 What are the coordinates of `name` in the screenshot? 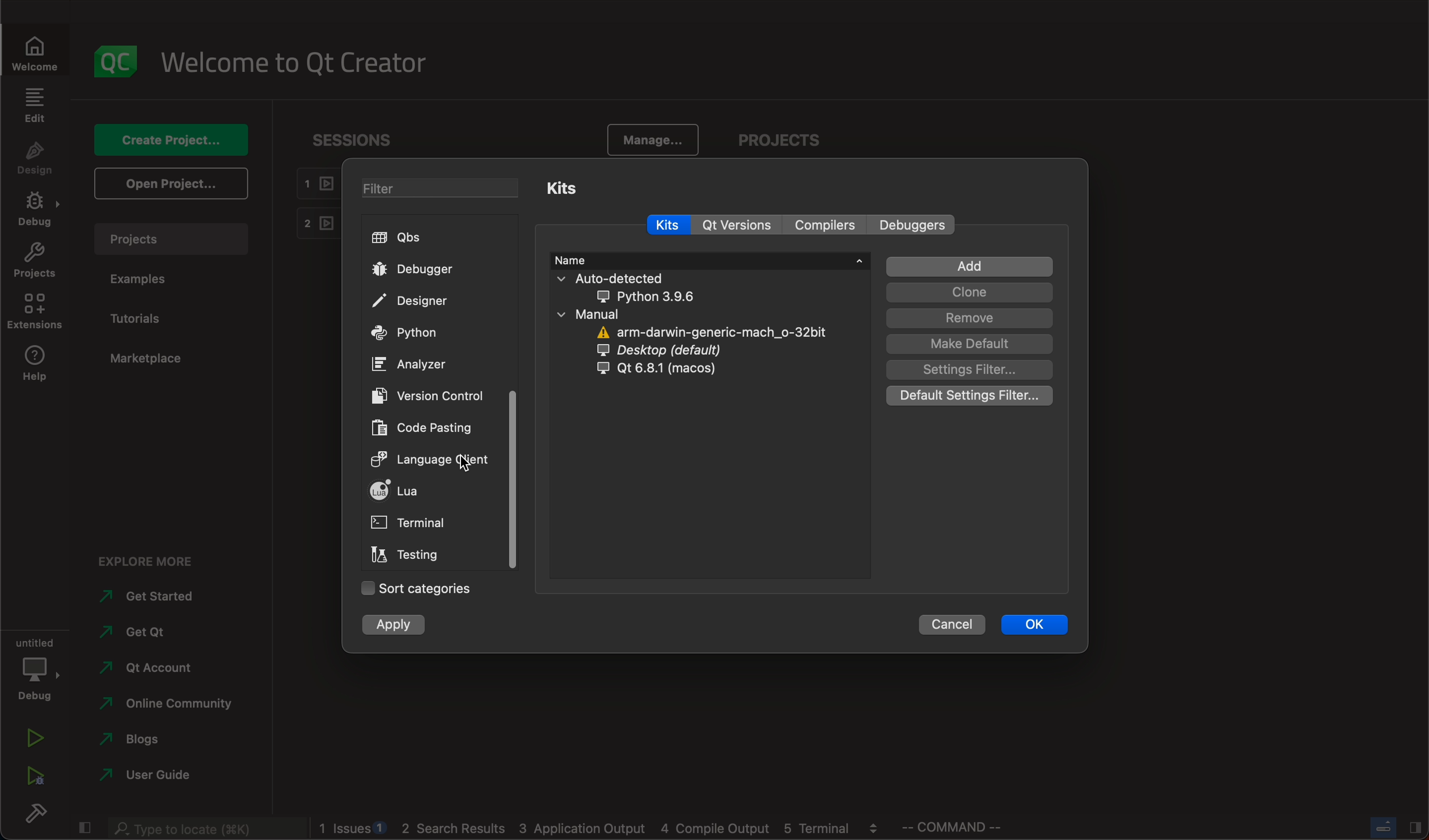 It's located at (709, 260).